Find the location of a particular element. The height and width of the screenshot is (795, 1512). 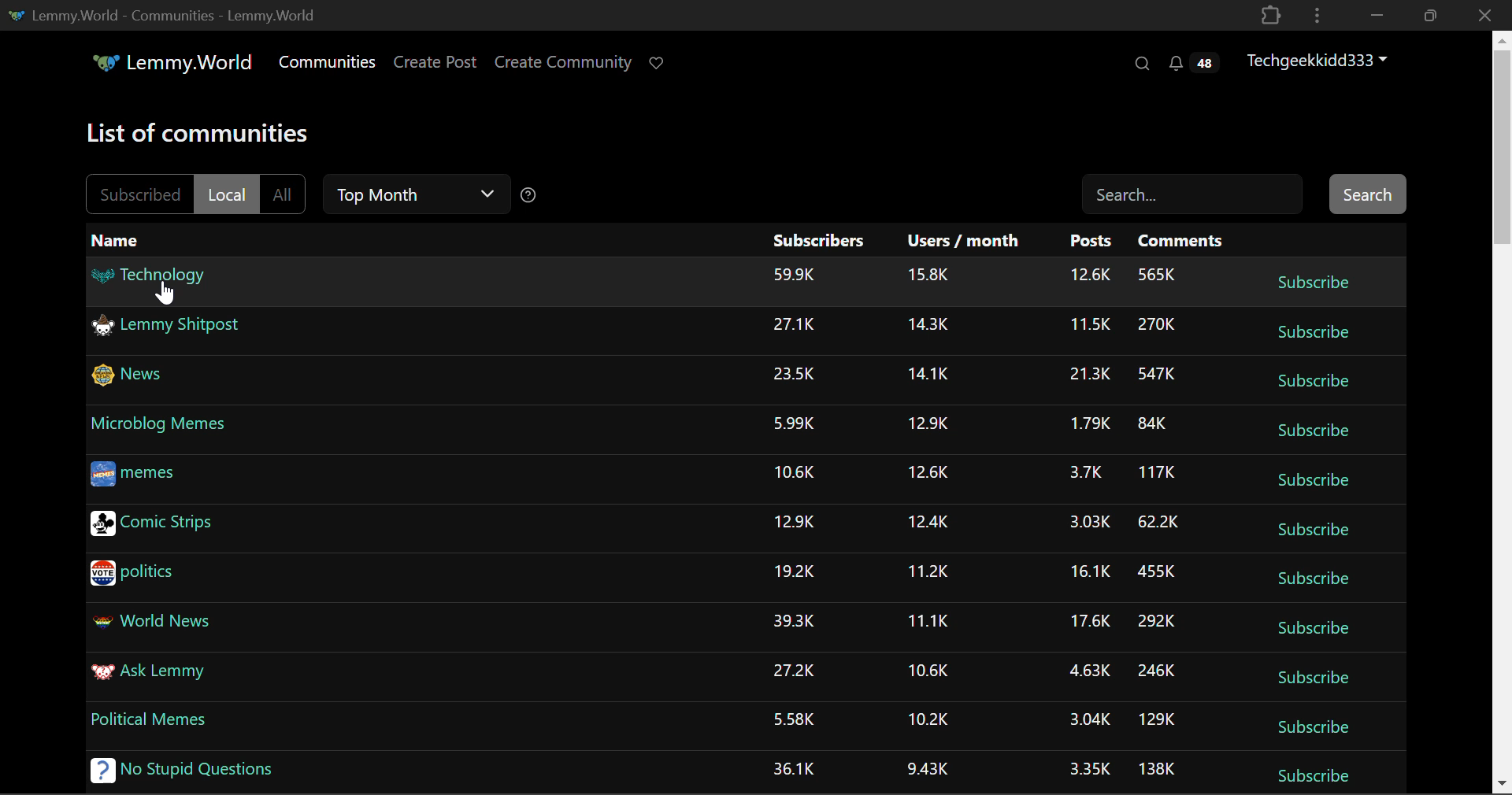

All is located at coordinates (287, 195).